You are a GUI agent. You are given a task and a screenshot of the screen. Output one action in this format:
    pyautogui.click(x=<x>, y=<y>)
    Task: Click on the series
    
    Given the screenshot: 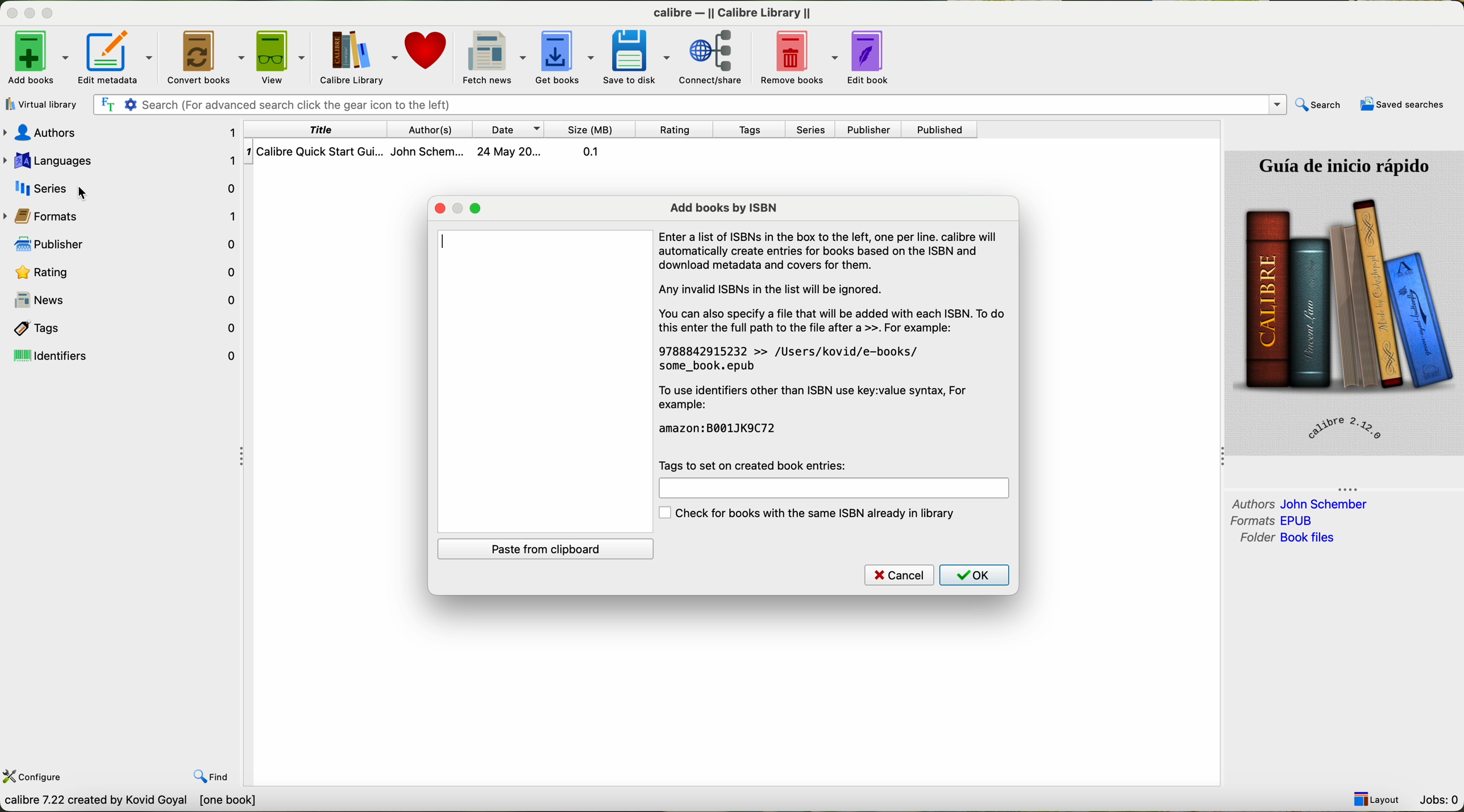 What is the action you would take?
    pyautogui.click(x=813, y=130)
    